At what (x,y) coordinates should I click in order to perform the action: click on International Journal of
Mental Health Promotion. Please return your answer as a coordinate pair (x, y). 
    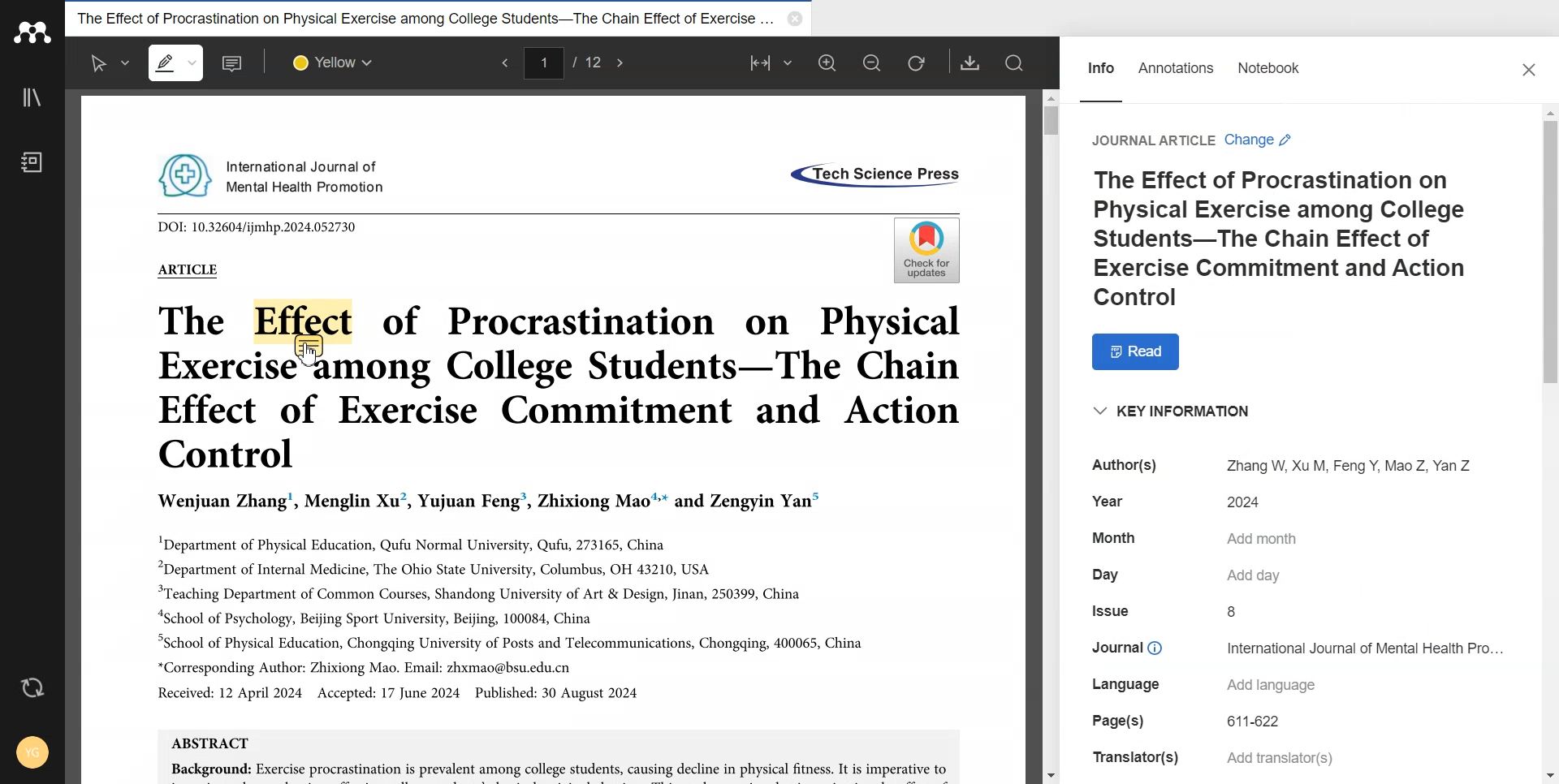
    Looking at the image, I should click on (274, 174).